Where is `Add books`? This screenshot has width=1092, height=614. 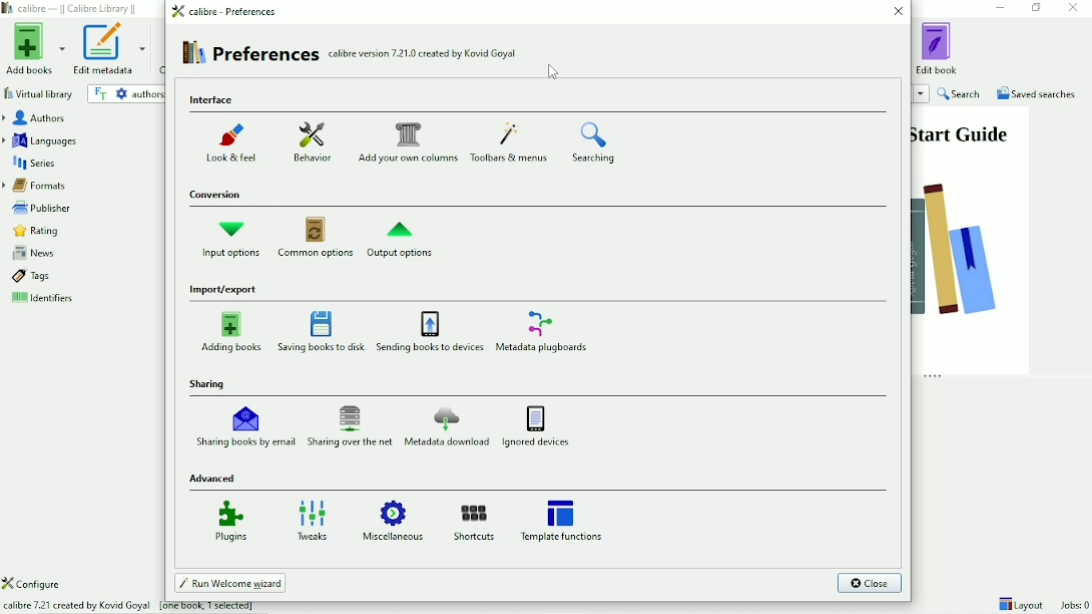
Add books is located at coordinates (34, 49).